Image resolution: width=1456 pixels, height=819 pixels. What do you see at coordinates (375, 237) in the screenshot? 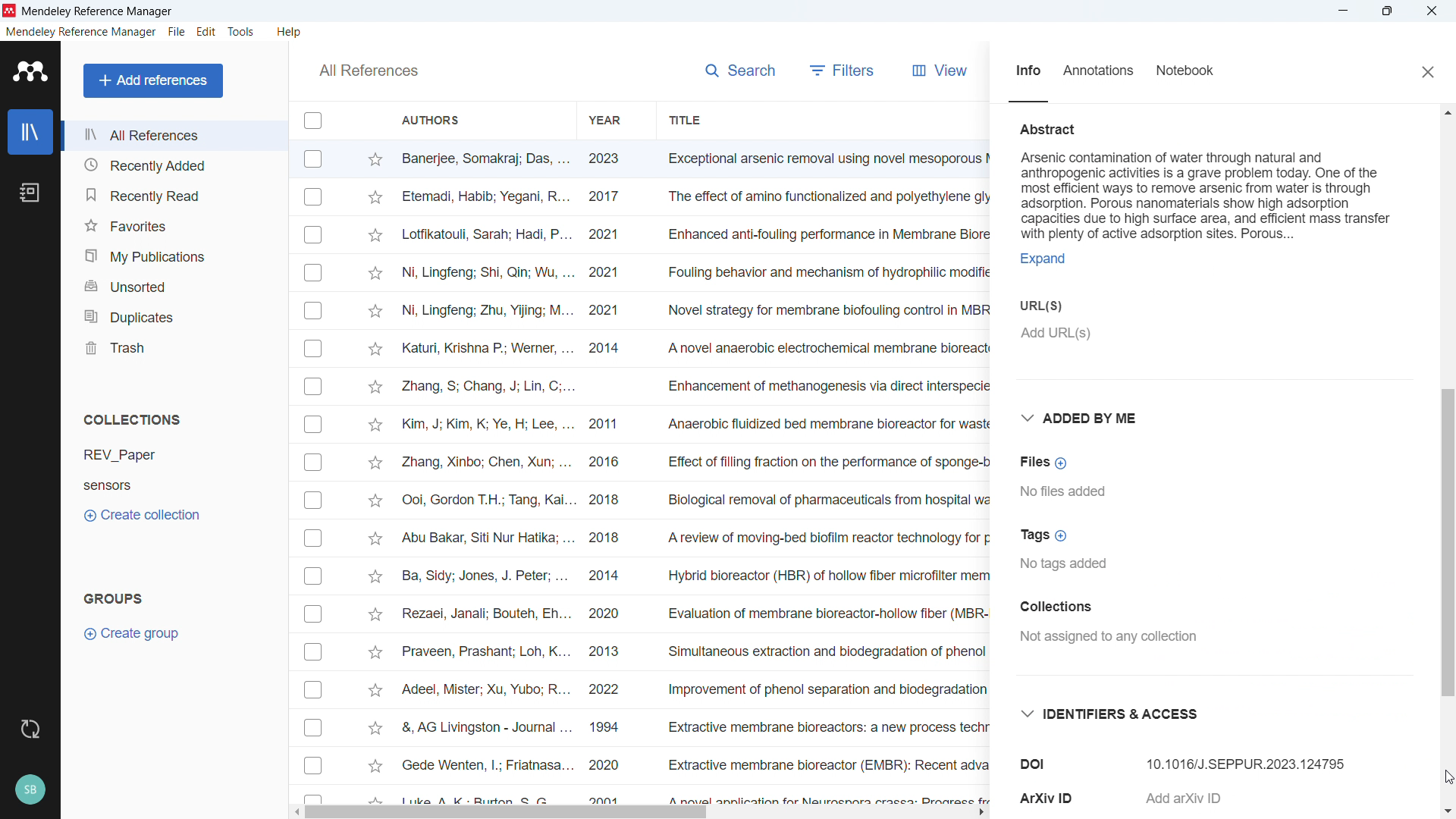
I see `click to starmark individual entries` at bounding box center [375, 237].